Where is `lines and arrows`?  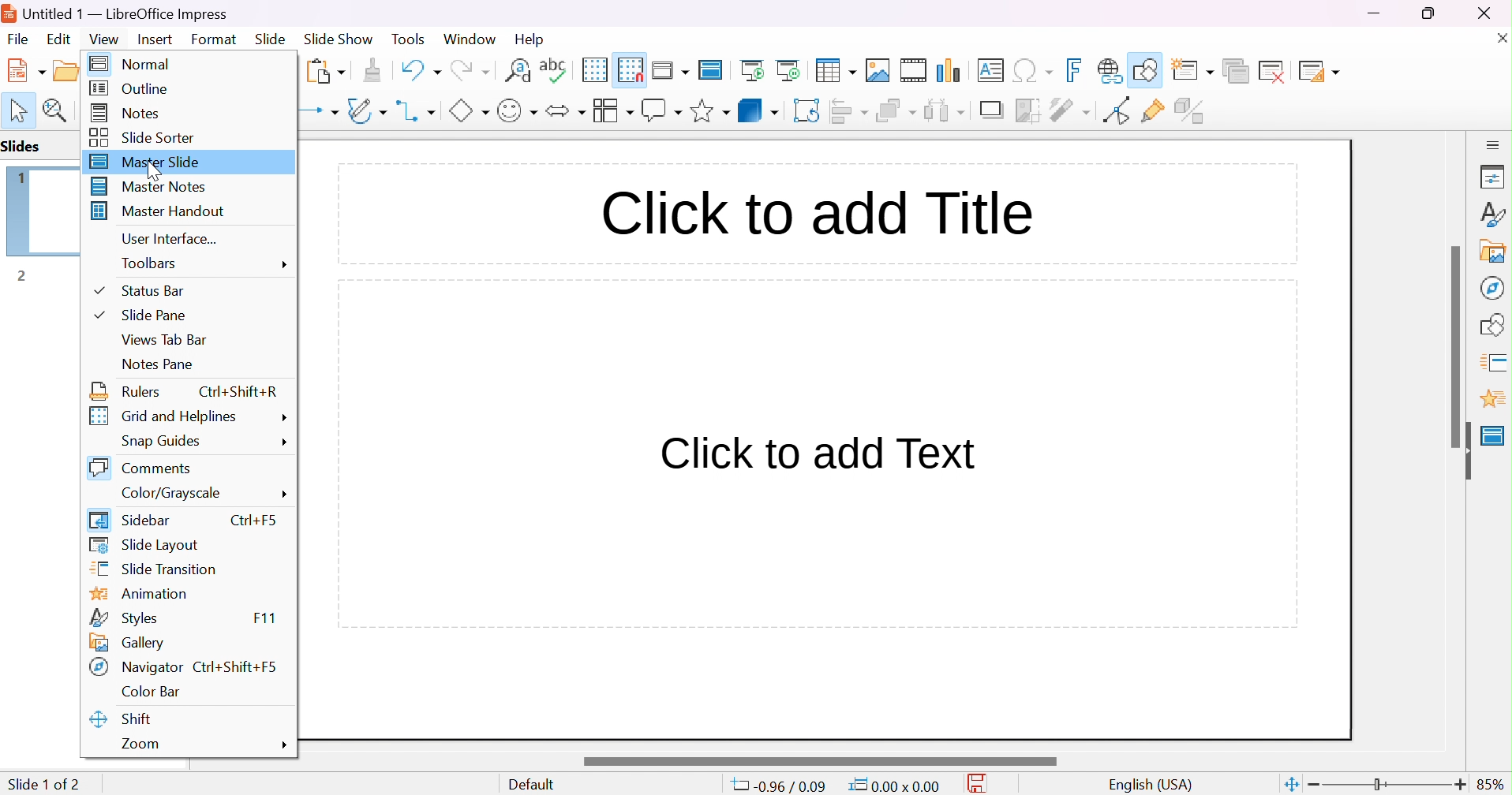 lines and arrows is located at coordinates (318, 111).